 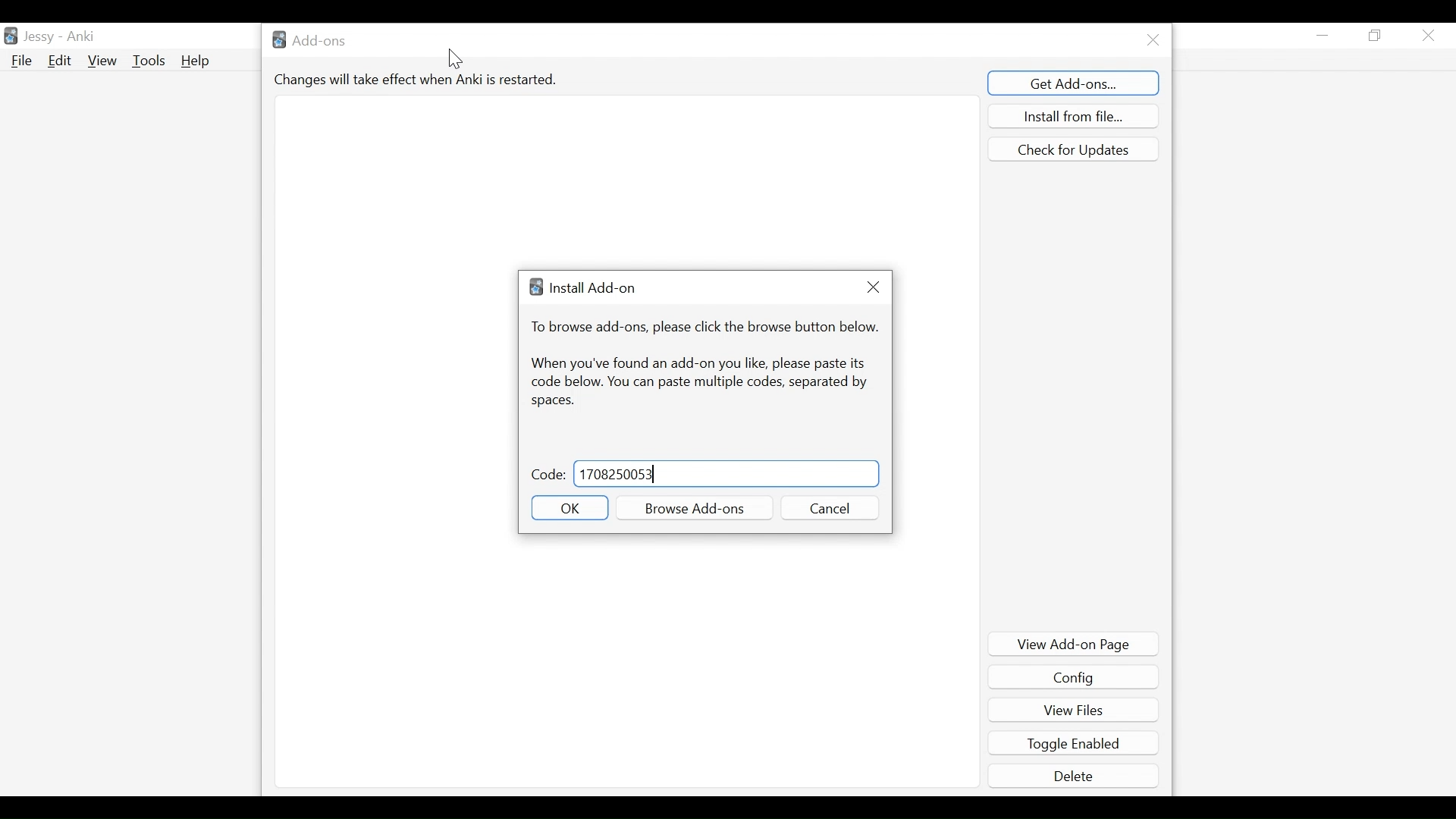 I want to click on Spaces, so click(x=553, y=401).